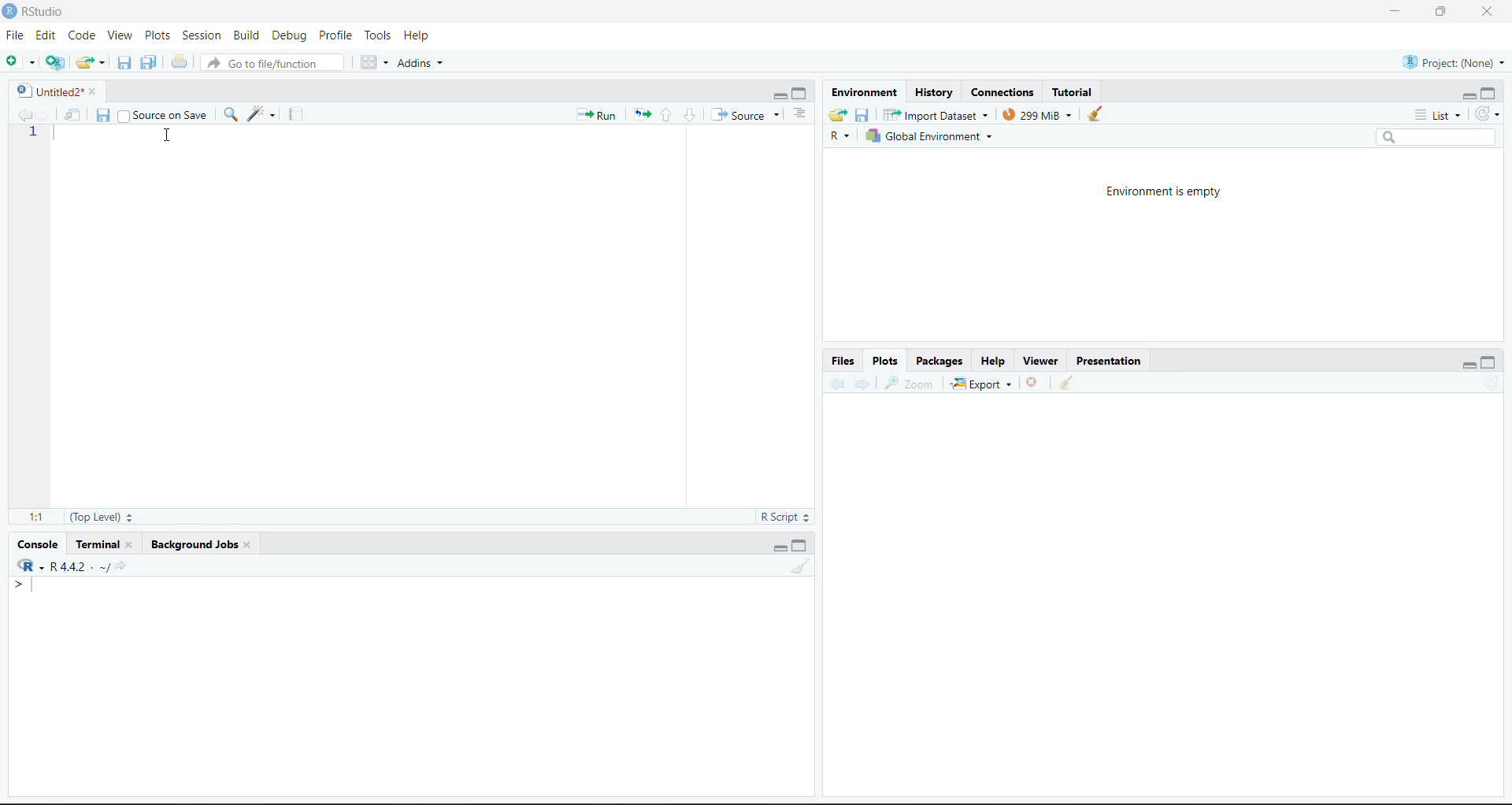  I want to click on print the current file, so click(180, 62).